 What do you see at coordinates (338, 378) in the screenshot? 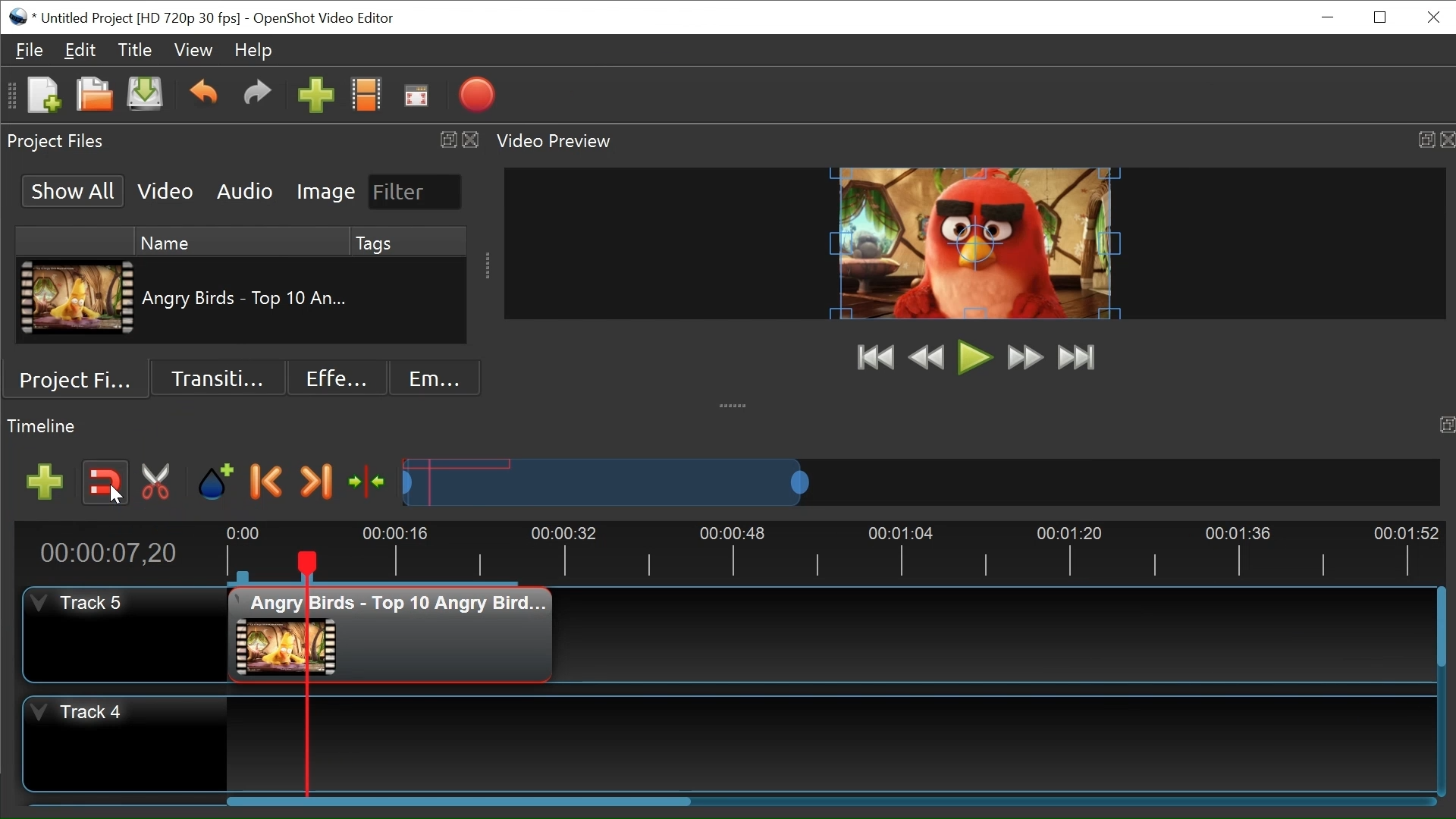
I see `Effects` at bounding box center [338, 378].